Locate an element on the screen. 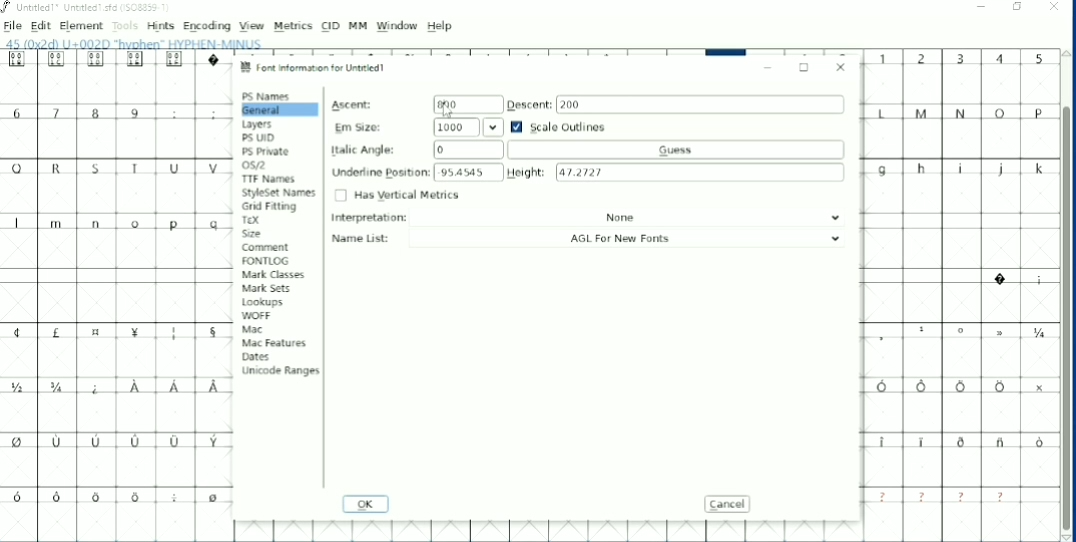  General is located at coordinates (278, 110).